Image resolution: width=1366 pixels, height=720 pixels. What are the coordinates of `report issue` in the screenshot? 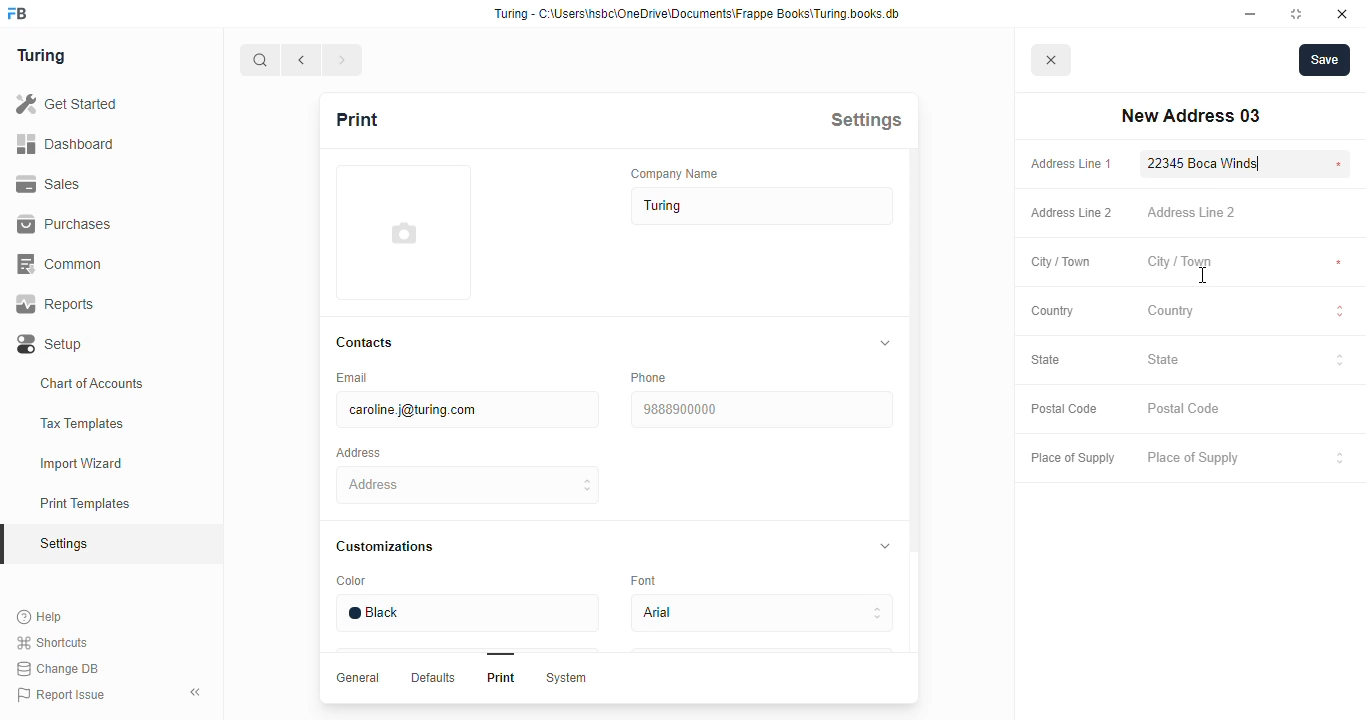 It's located at (61, 695).